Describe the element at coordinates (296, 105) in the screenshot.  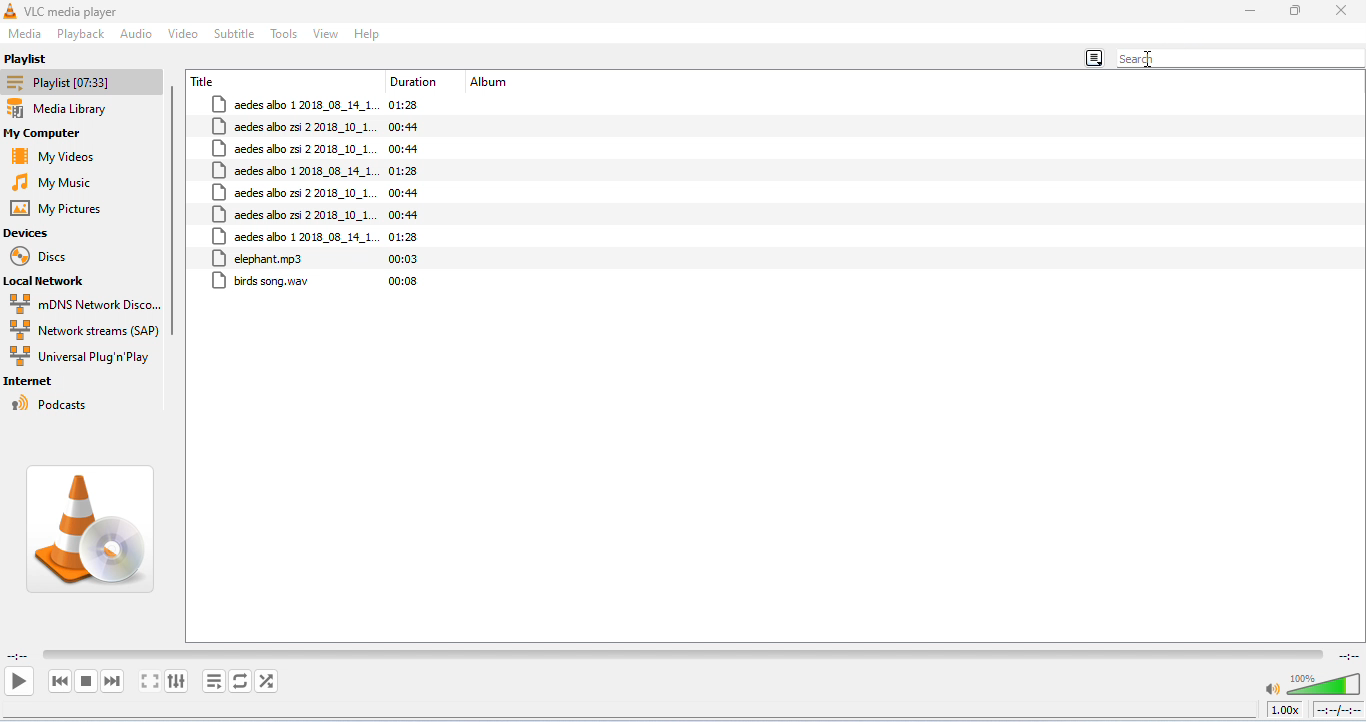
I see `aedes albo 1 2018_08_14_1` at that location.